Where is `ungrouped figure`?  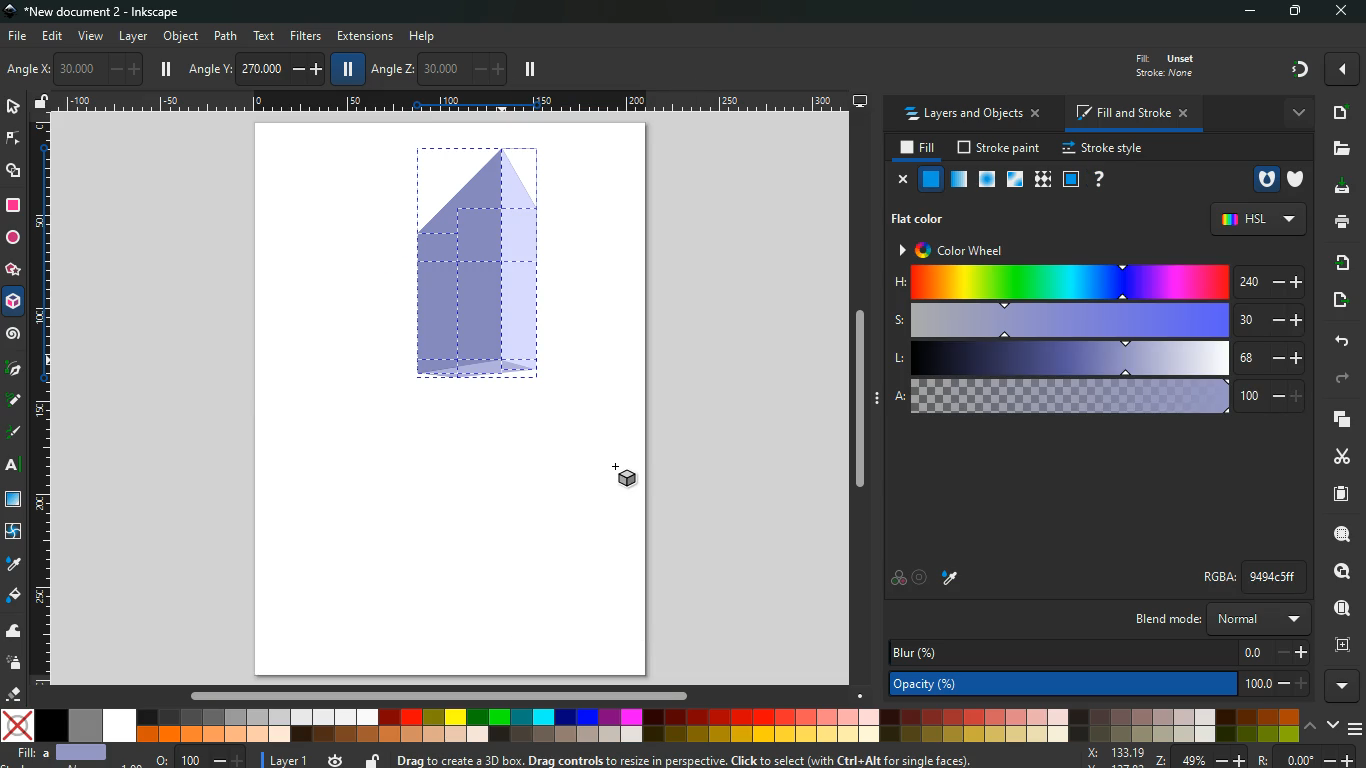 ungrouped figure is located at coordinates (505, 314).